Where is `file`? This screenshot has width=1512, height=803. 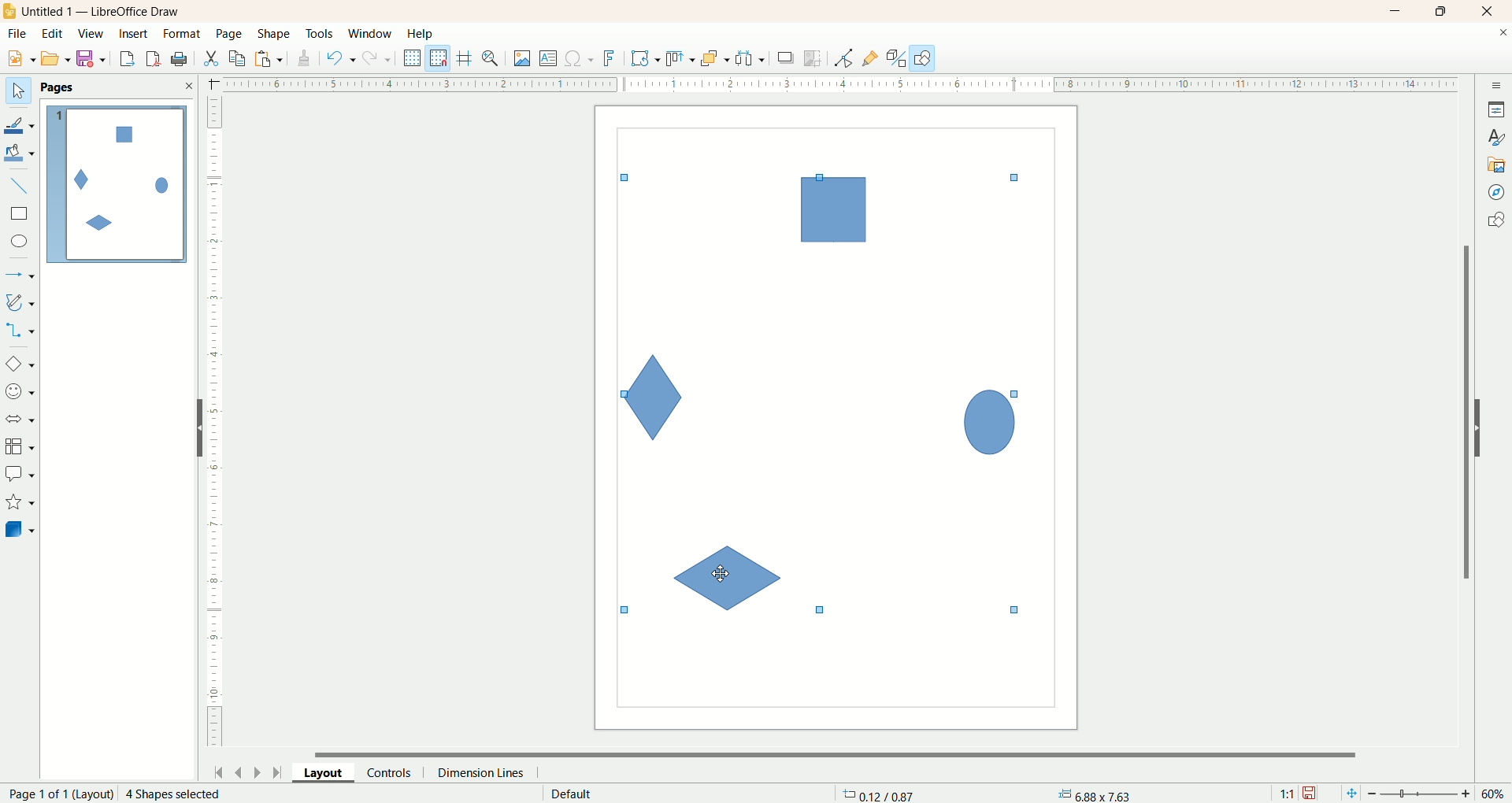
file is located at coordinates (20, 34).